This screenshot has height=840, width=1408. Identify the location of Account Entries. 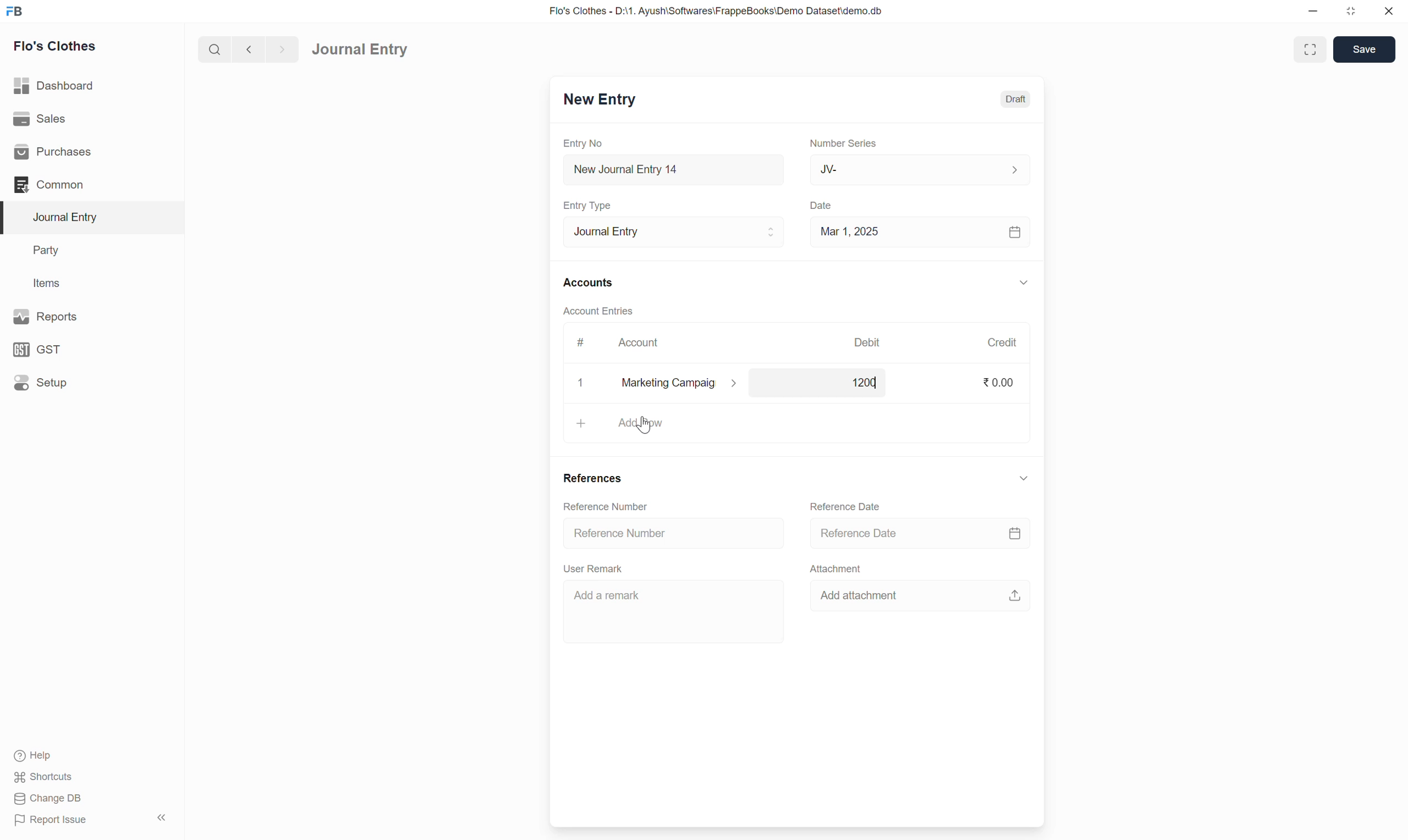
(599, 310).